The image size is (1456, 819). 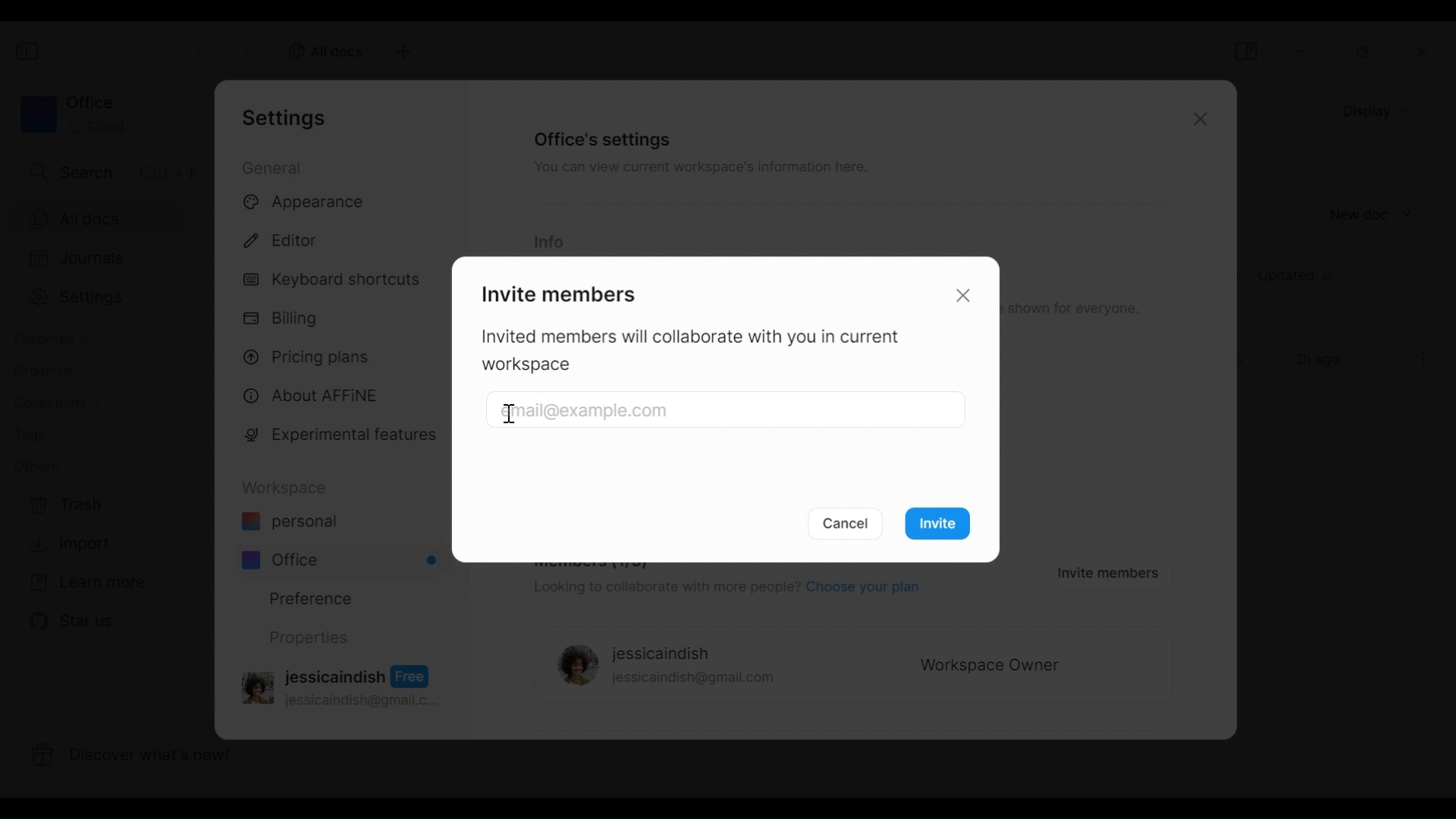 I want to click on close, so click(x=1426, y=52).